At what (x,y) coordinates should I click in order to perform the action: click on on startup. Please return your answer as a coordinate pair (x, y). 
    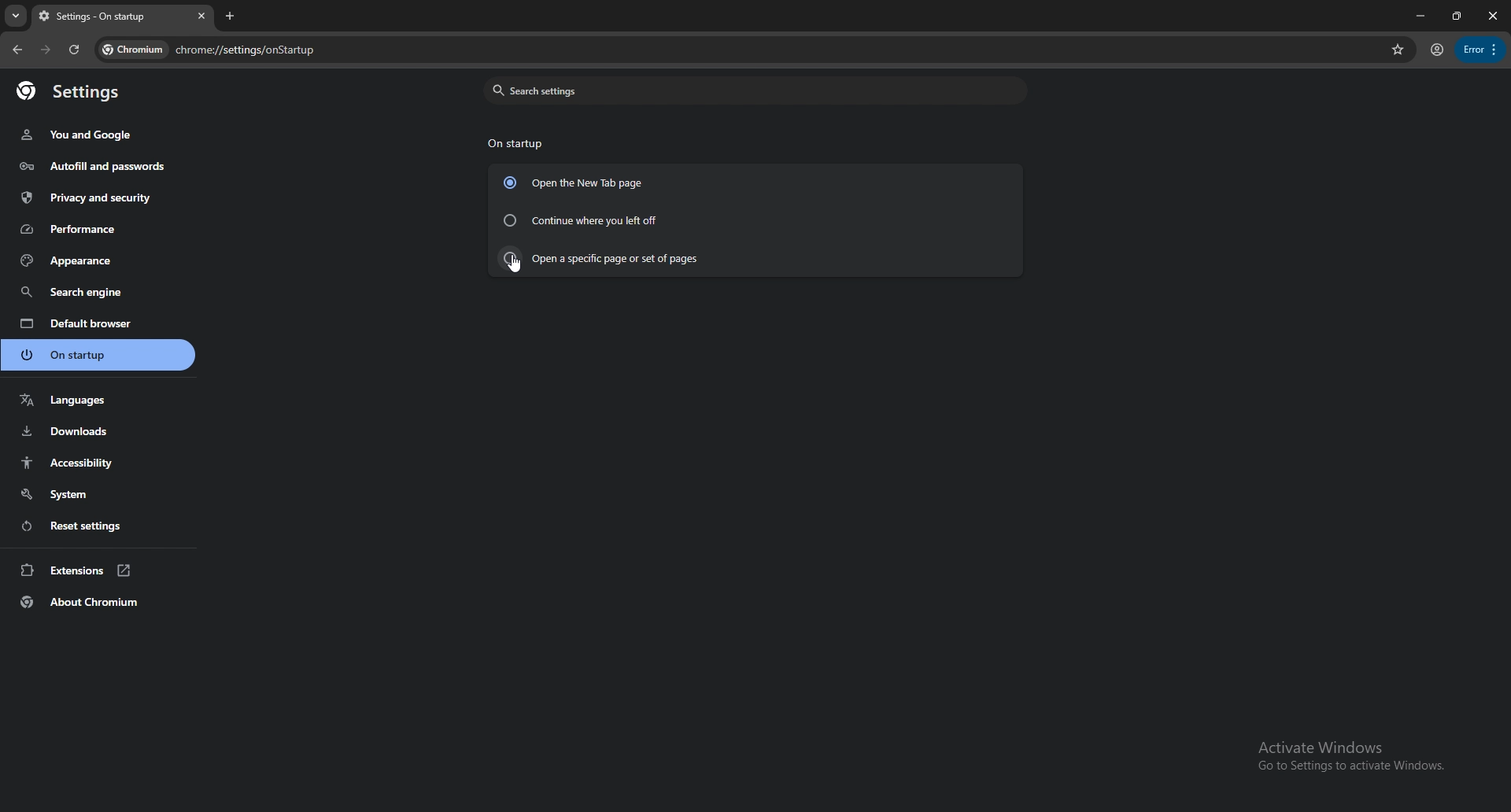
    Looking at the image, I should click on (516, 142).